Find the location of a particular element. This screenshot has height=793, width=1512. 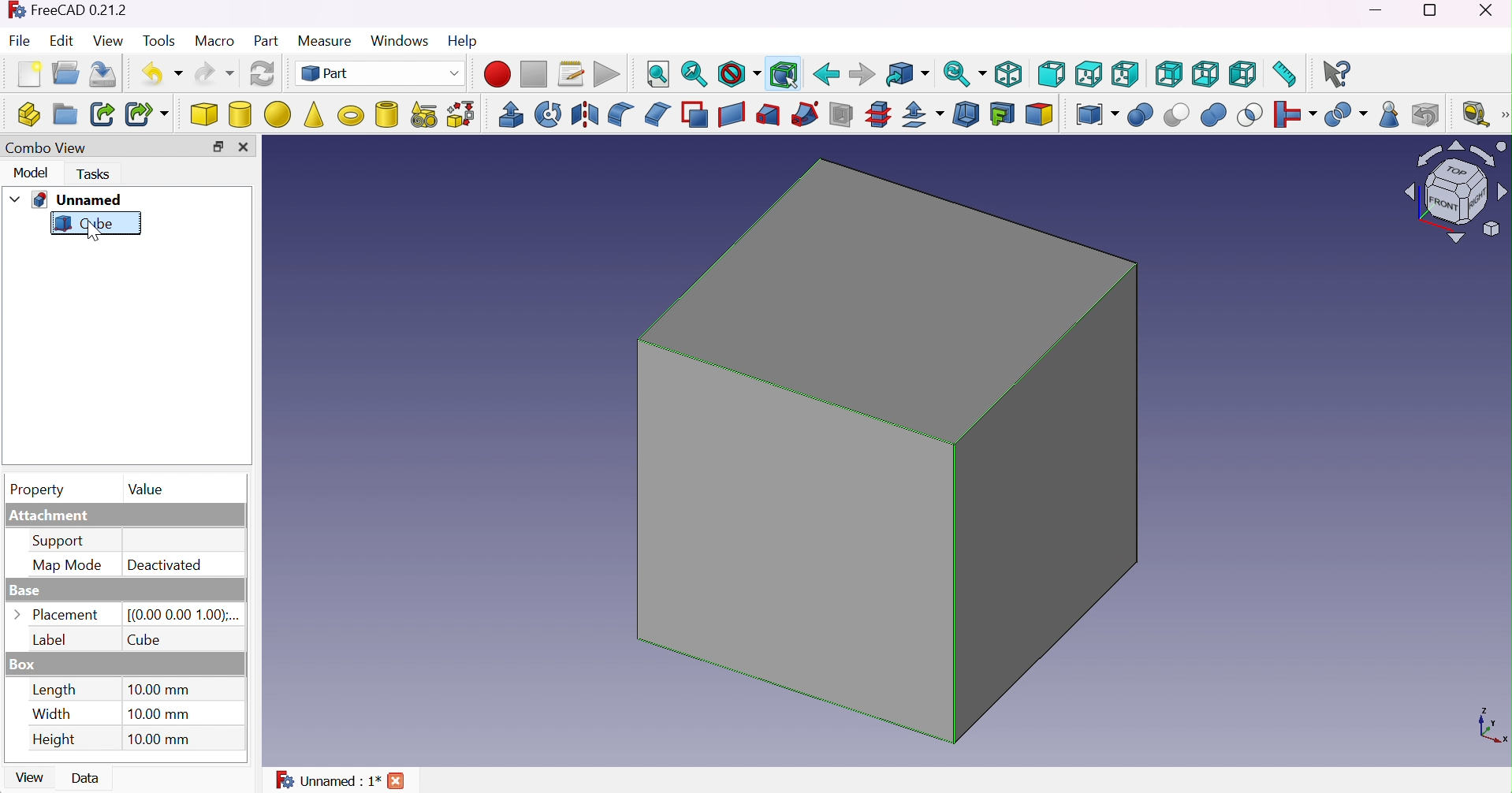

Drop down is located at coordinates (16, 199).